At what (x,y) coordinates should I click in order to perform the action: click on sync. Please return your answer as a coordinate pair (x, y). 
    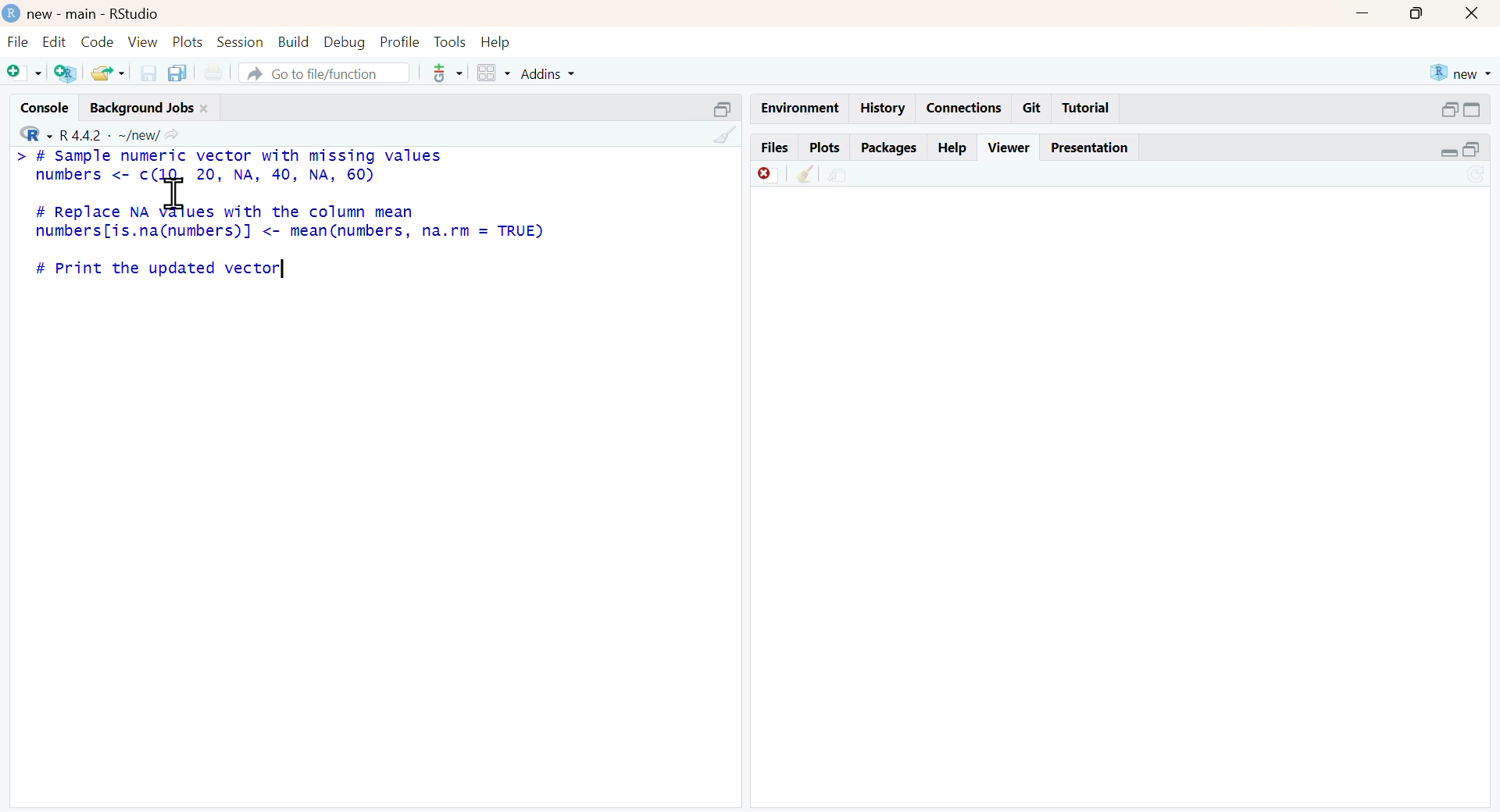
    Looking at the image, I should click on (1476, 175).